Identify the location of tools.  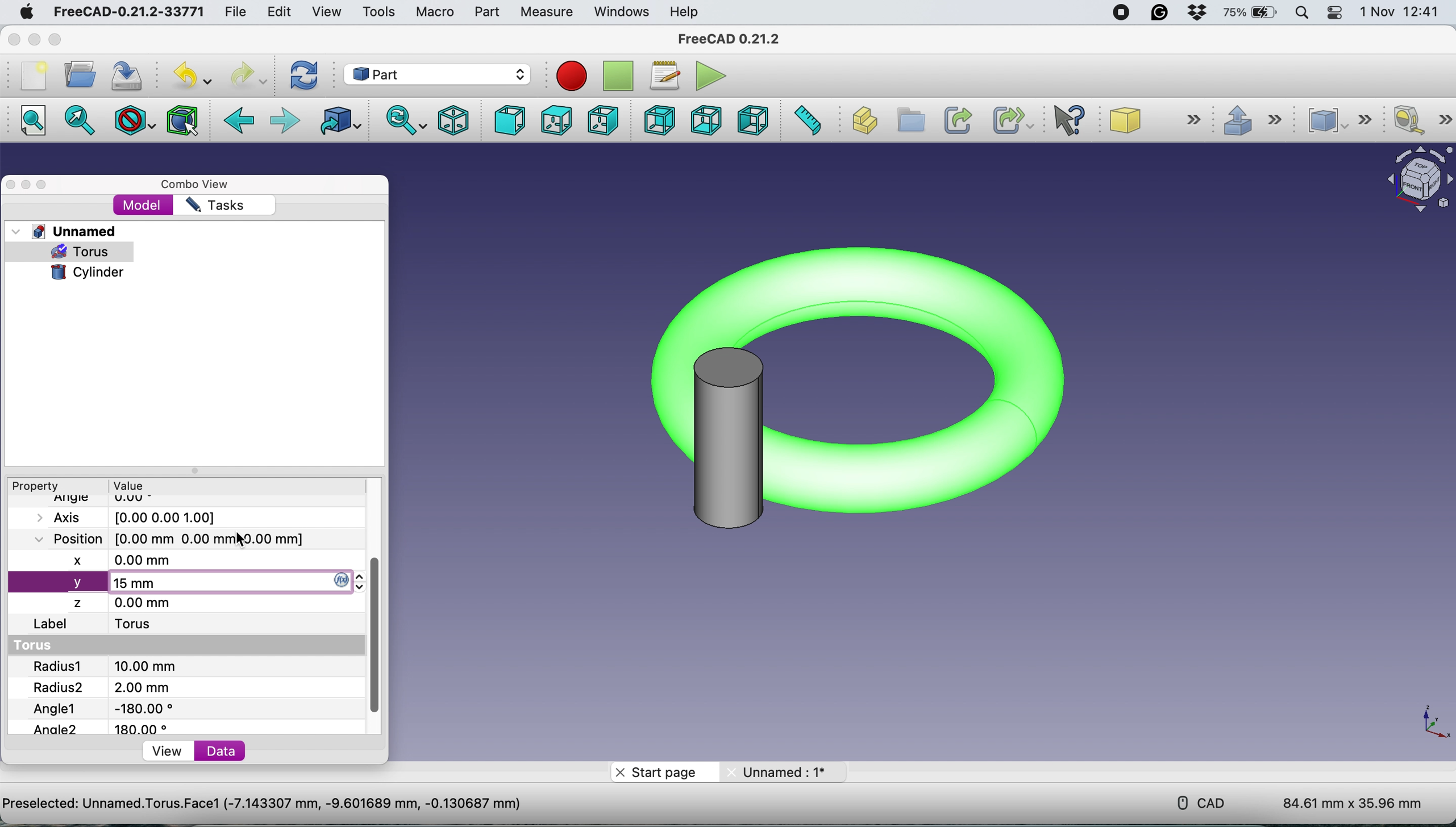
(379, 12).